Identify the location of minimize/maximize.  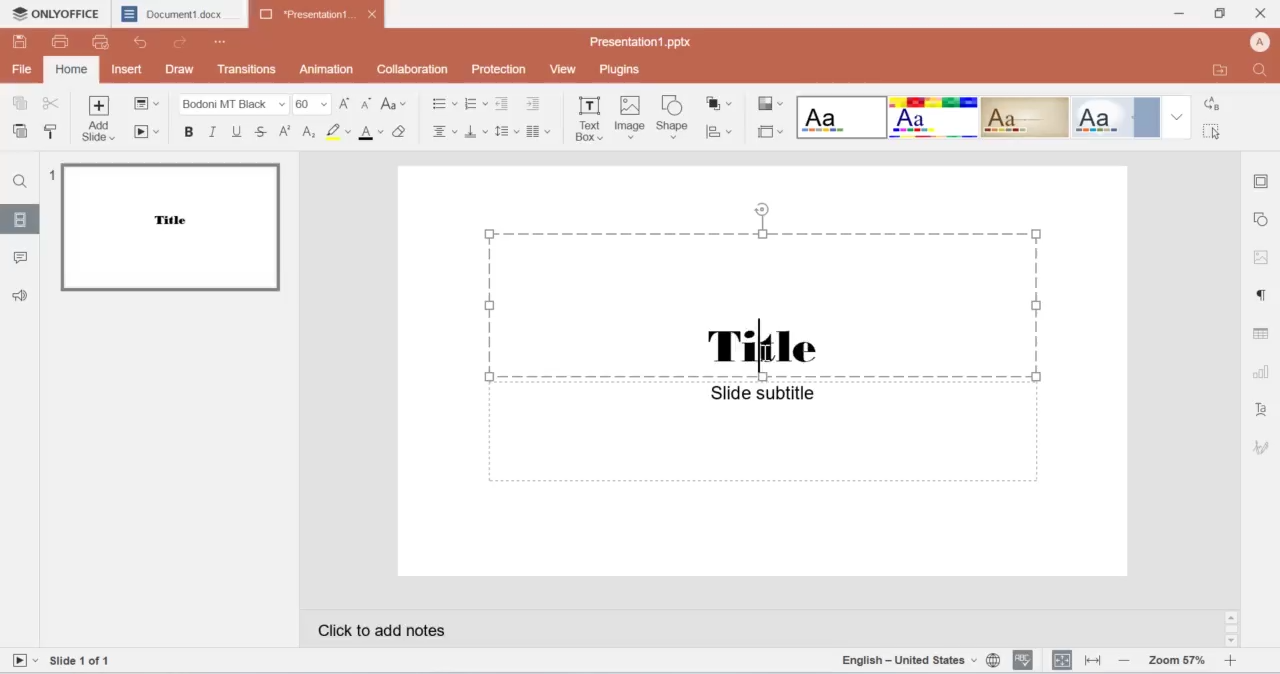
(1218, 14).